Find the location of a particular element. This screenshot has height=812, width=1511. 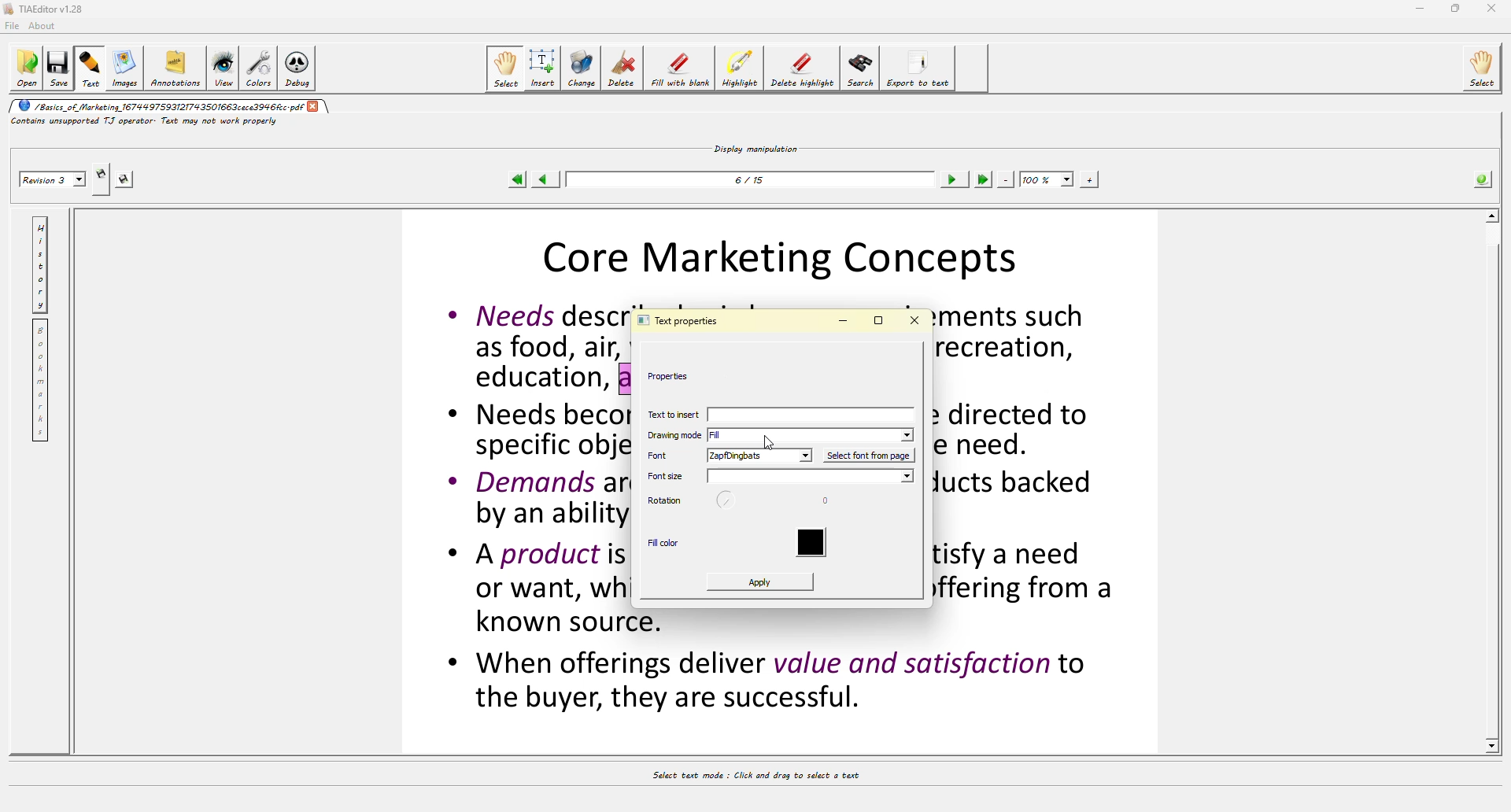

font is located at coordinates (663, 456).